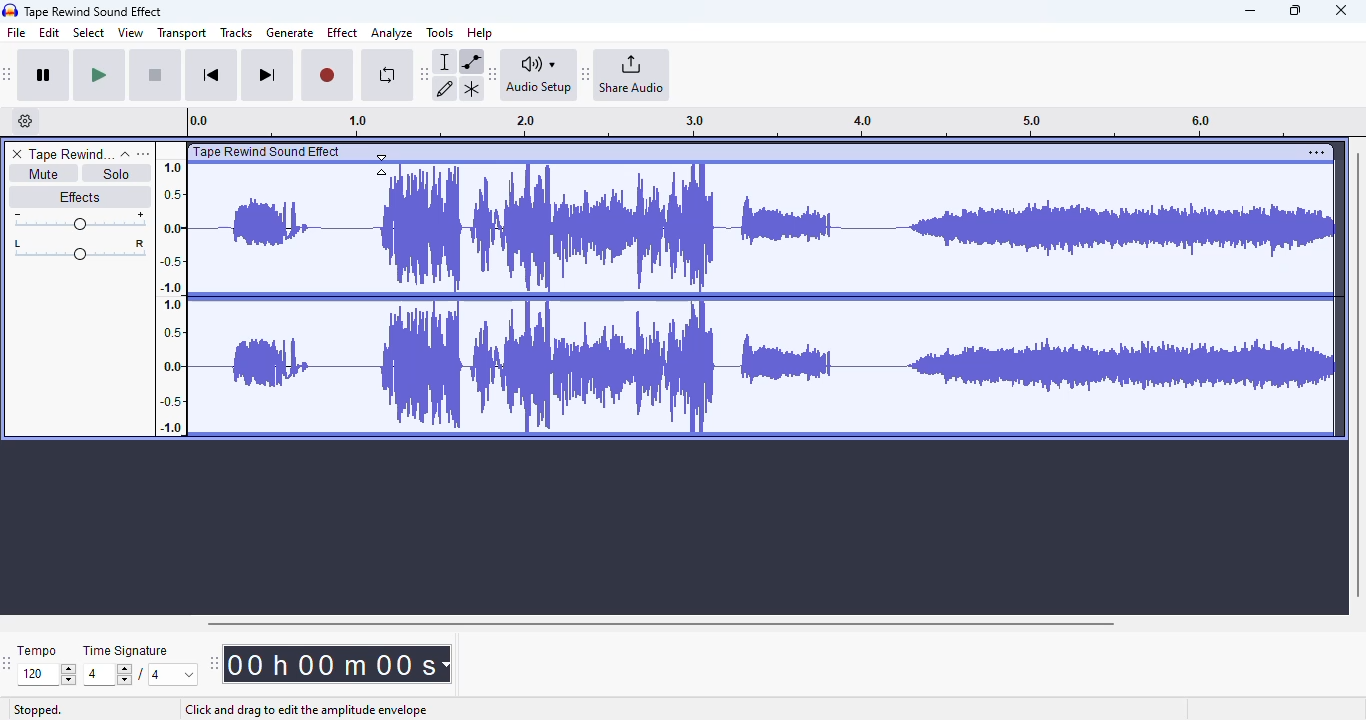  What do you see at coordinates (306, 711) in the screenshot?
I see `click and drag to edit the amplitude envelope` at bounding box center [306, 711].